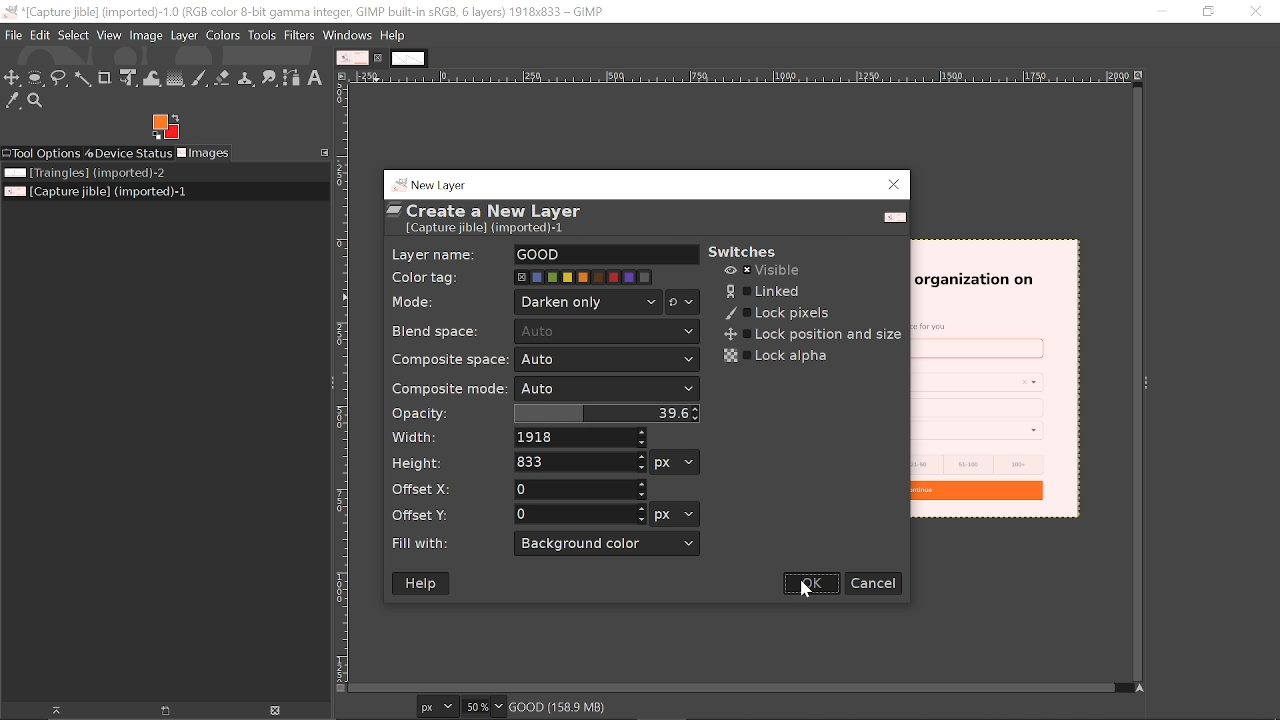 The width and height of the screenshot is (1280, 720). I want to click on offset Y, so click(580, 513).